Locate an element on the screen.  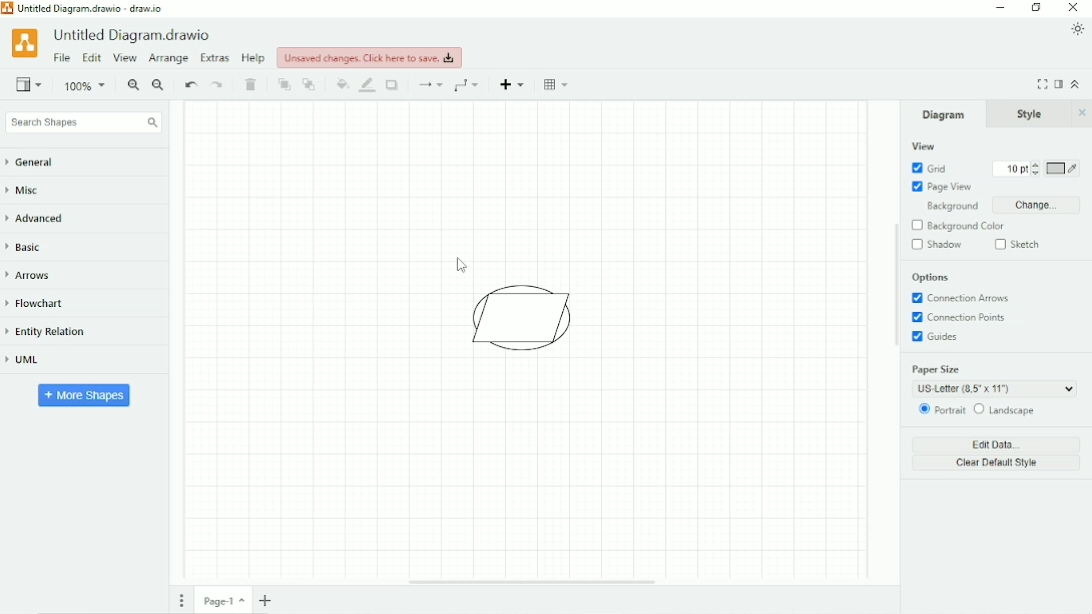
More shapes is located at coordinates (85, 394).